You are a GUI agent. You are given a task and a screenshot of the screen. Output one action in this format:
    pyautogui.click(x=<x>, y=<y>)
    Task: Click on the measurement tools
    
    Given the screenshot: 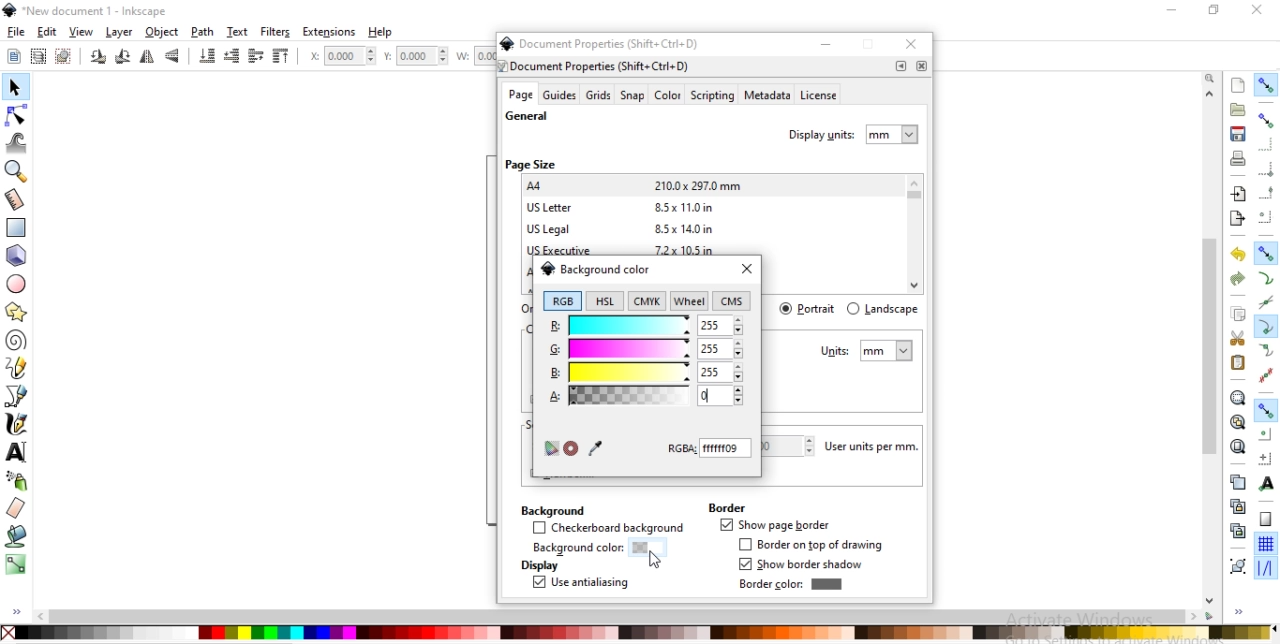 What is the action you would take?
    pyautogui.click(x=18, y=200)
    